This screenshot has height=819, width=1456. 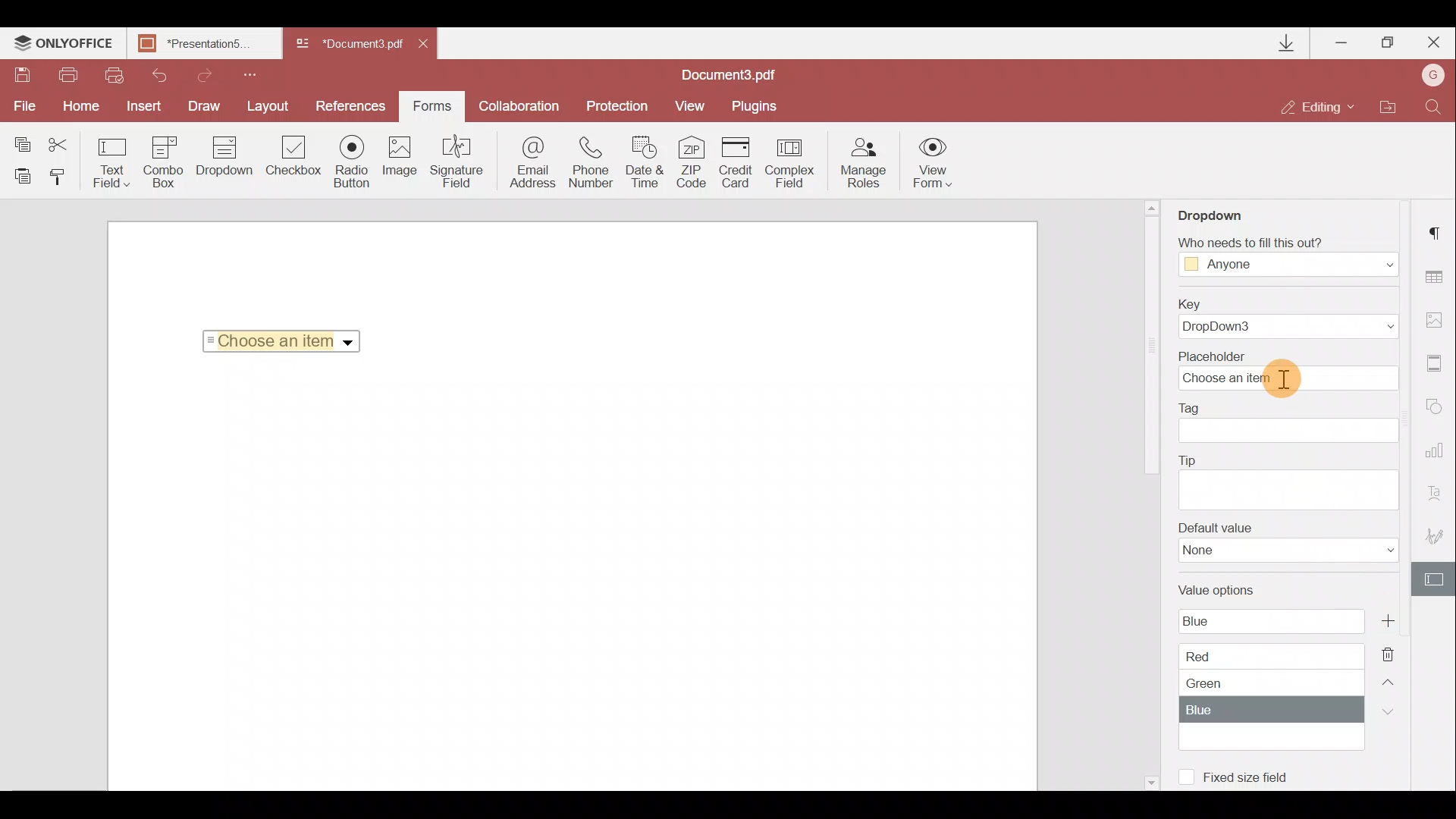 I want to click on Signature field, so click(x=459, y=165).